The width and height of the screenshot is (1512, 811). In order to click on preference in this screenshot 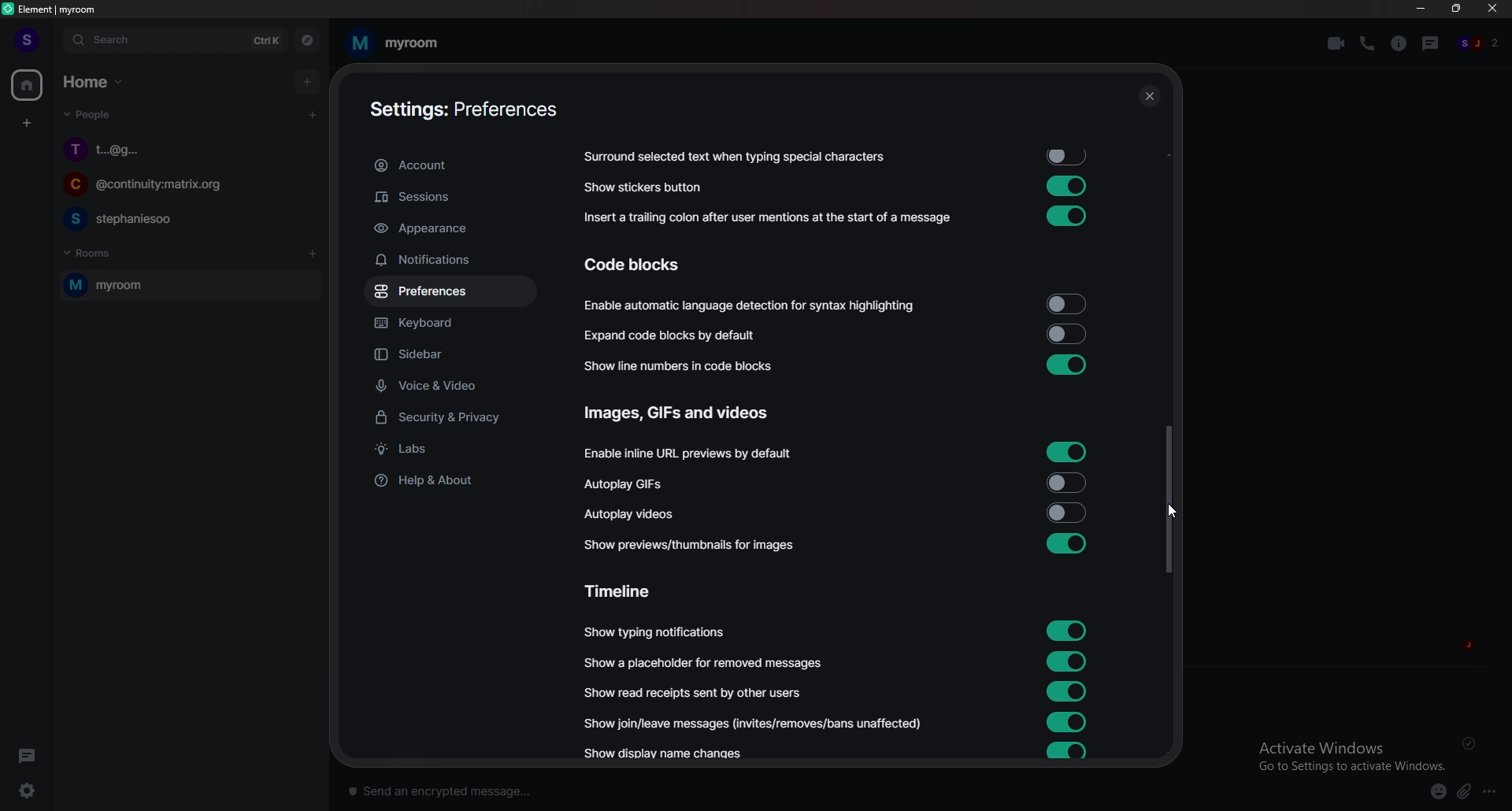, I will do `click(450, 292)`.